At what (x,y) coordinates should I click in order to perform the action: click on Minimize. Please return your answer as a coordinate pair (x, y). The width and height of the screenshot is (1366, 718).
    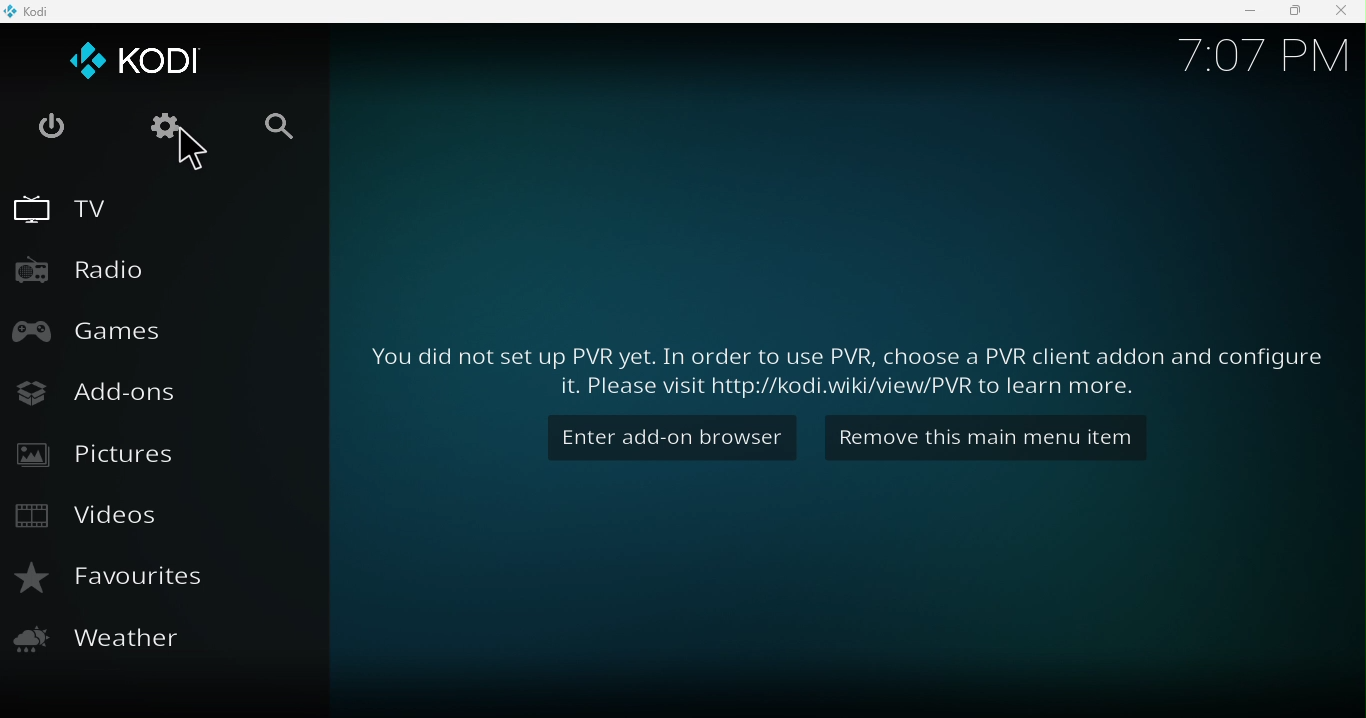
    Looking at the image, I should click on (1240, 13).